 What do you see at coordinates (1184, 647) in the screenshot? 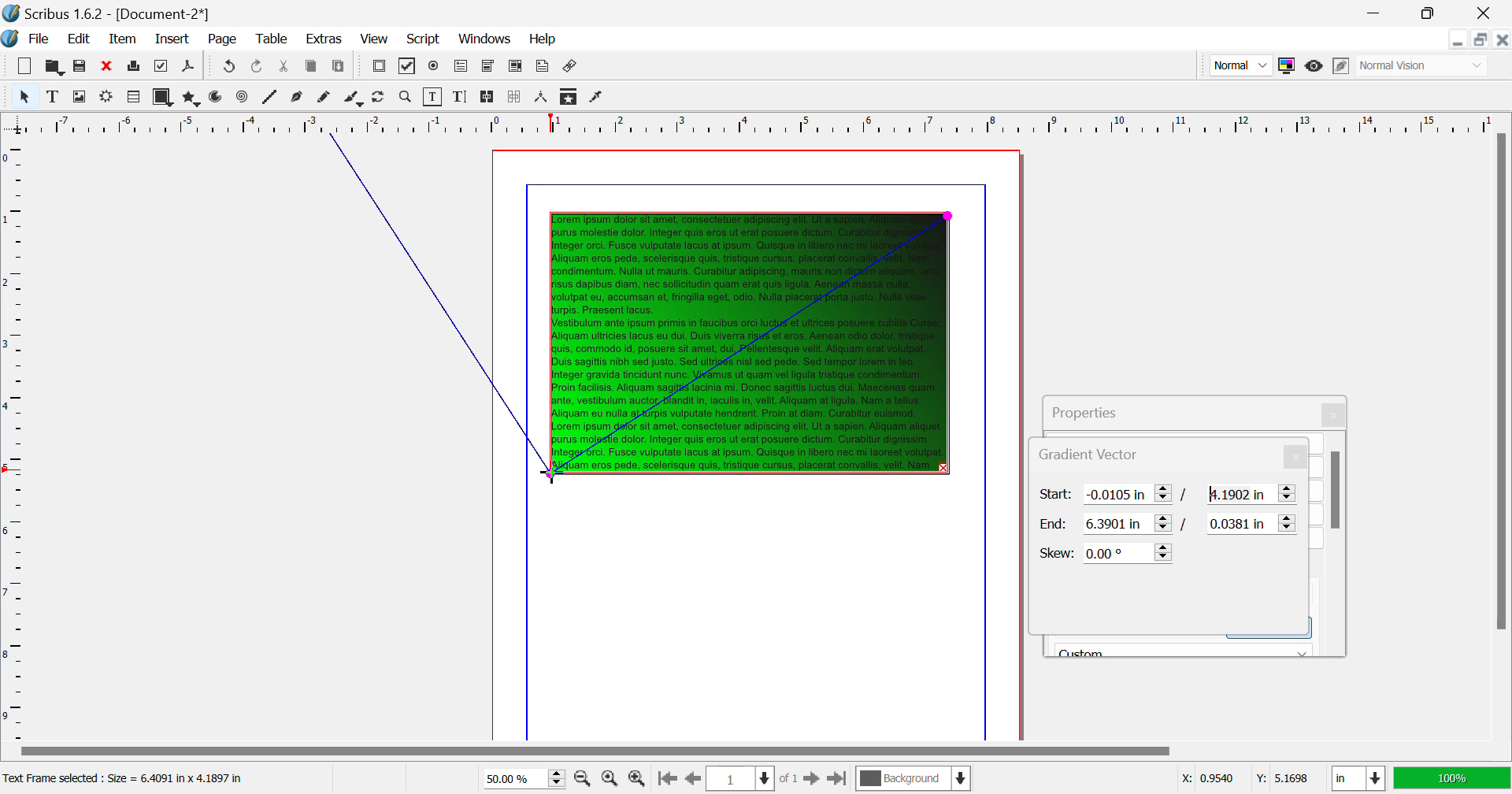
I see `Black` at bounding box center [1184, 647].